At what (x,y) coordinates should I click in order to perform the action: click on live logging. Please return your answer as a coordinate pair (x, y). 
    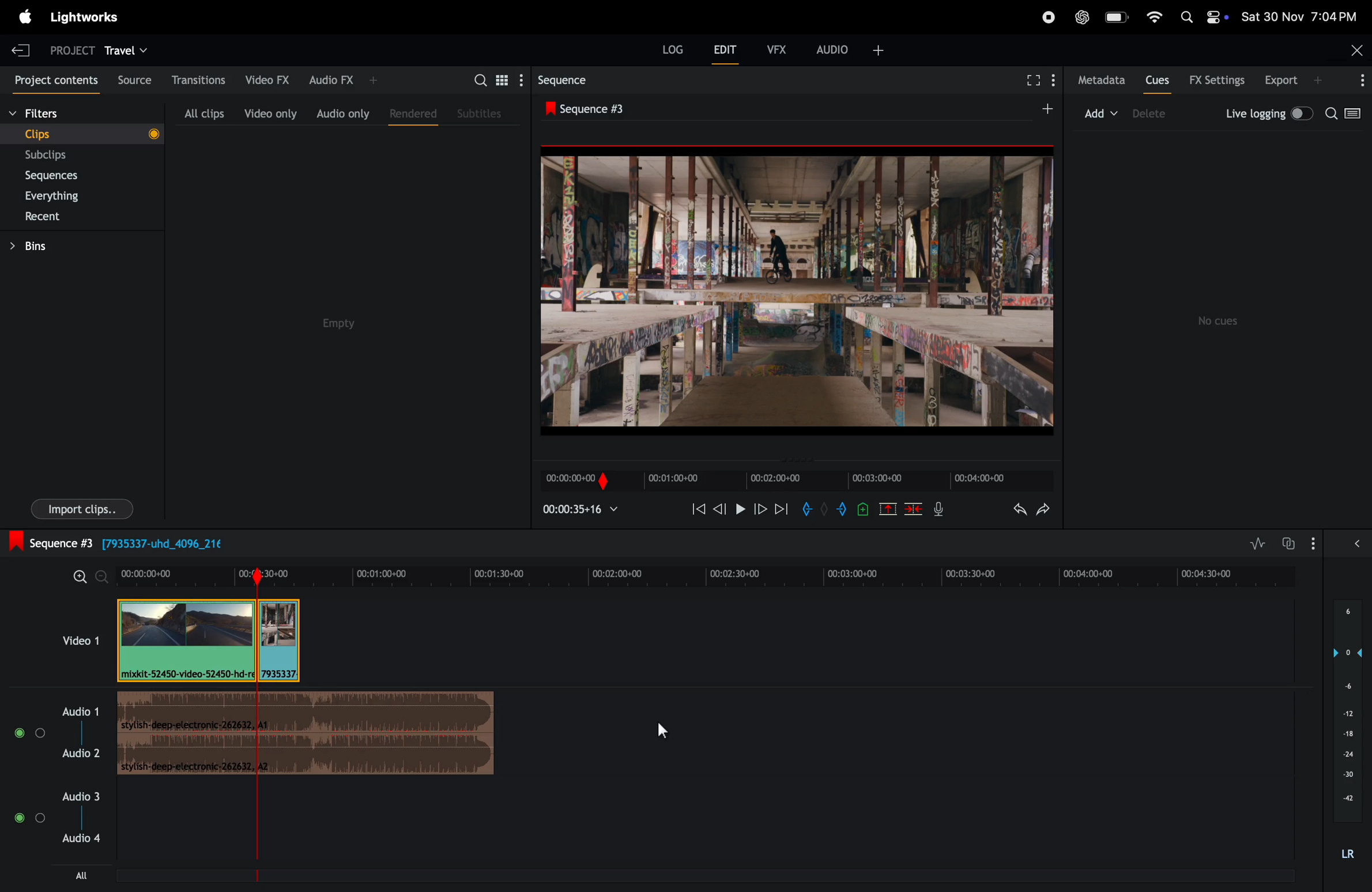
    Looking at the image, I should click on (1267, 114).